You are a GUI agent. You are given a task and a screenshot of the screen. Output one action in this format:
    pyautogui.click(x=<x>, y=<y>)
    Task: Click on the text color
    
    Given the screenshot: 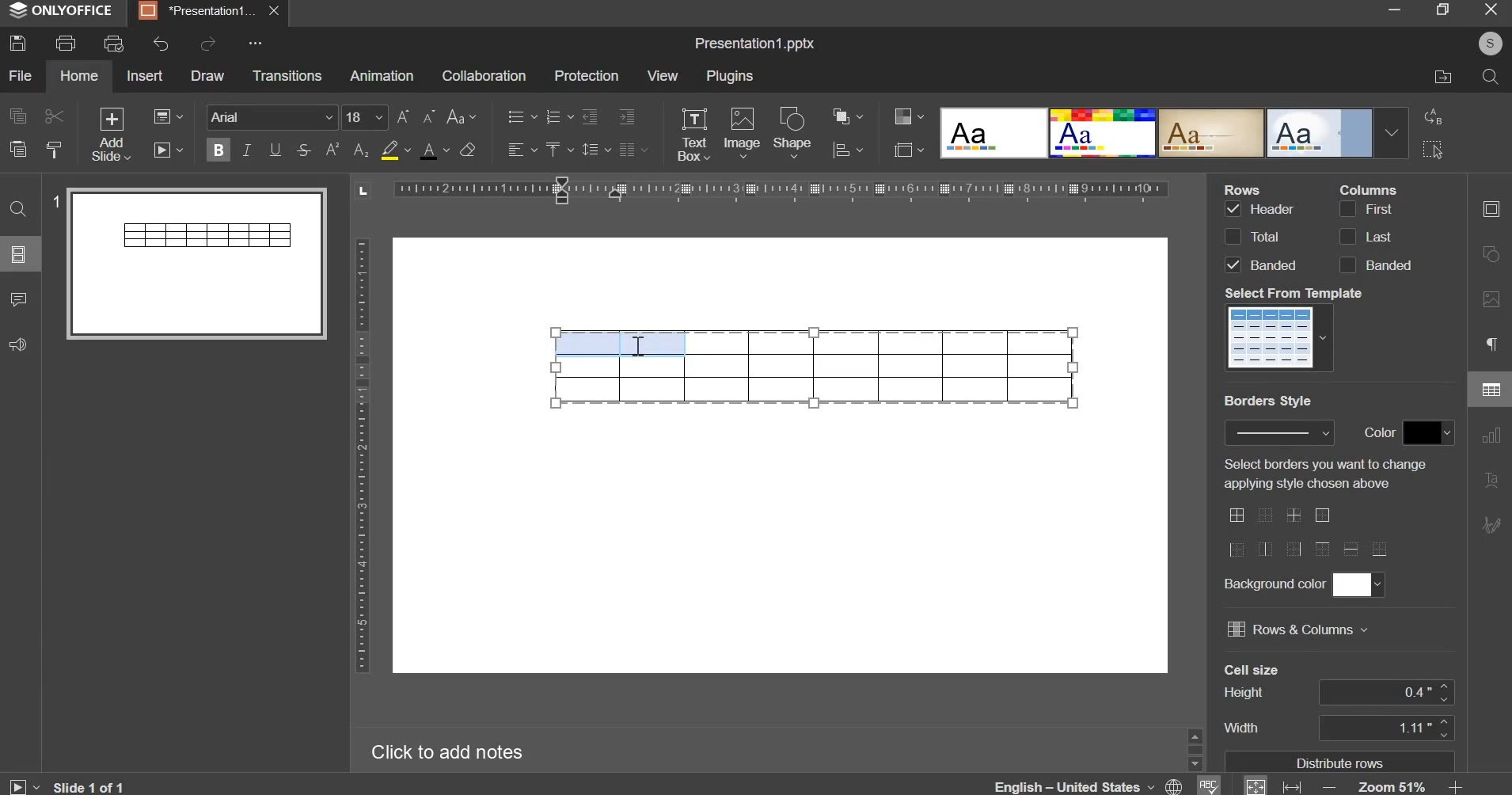 What is the action you would take?
    pyautogui.click(x=434, y=150)
    